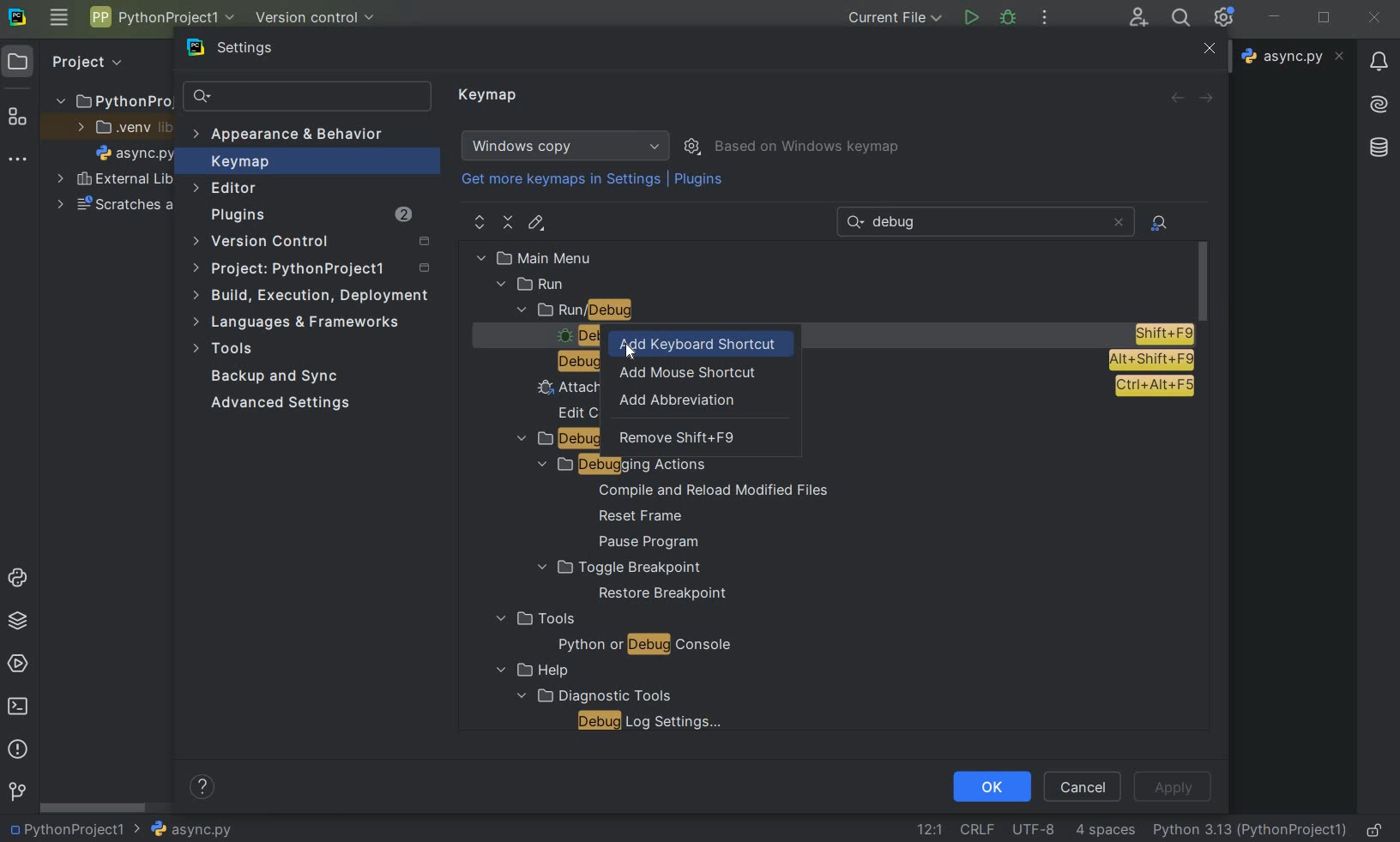 The height and width of the screenshot is (842, 1400). What do you see at coordinates (896, 17) in the screenshot?
I see `current file` at bounding box center [896, 17].